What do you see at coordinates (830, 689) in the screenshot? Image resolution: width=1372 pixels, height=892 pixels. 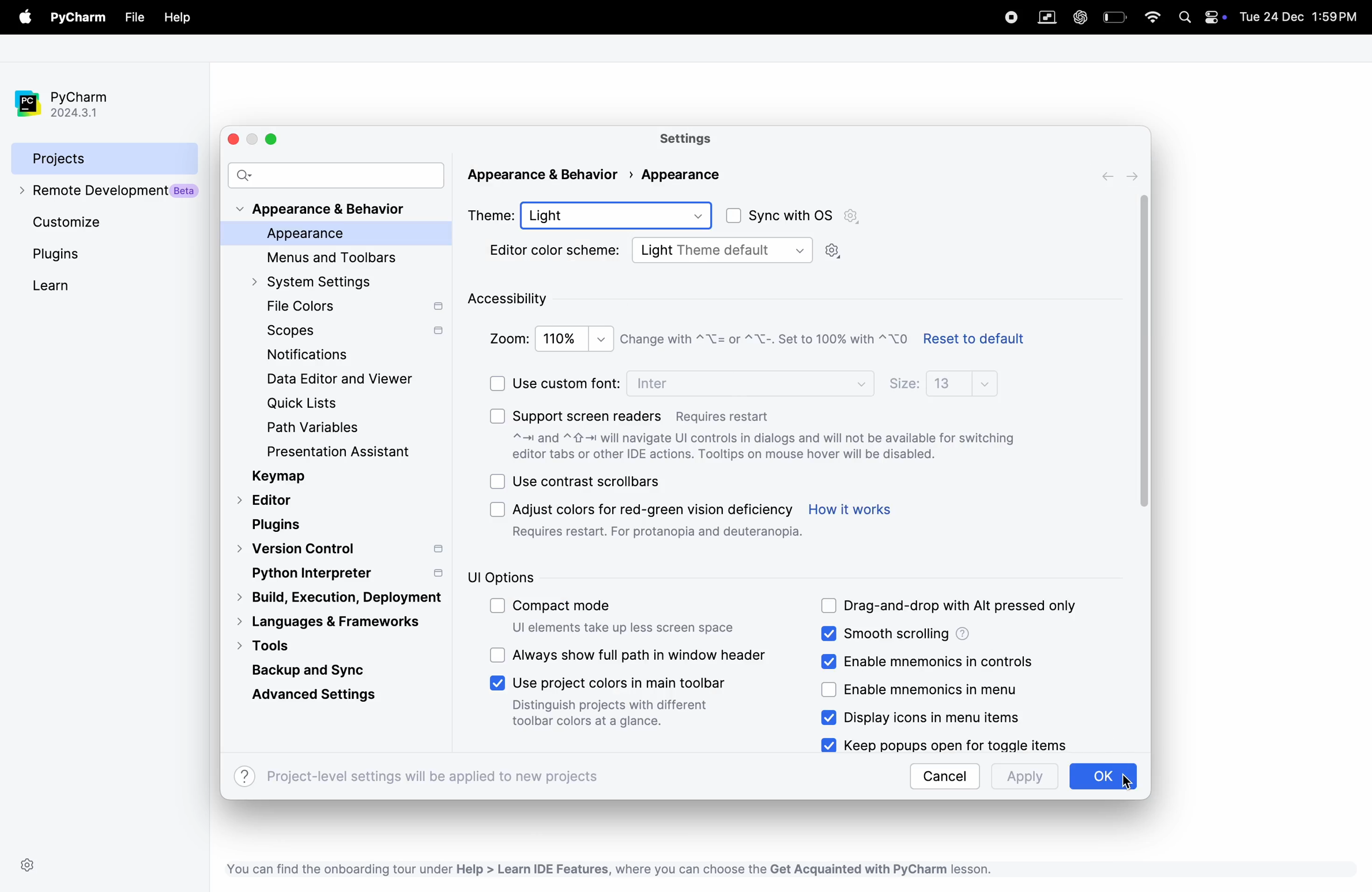 I see `check boxes` at bounding box center [830, 689].